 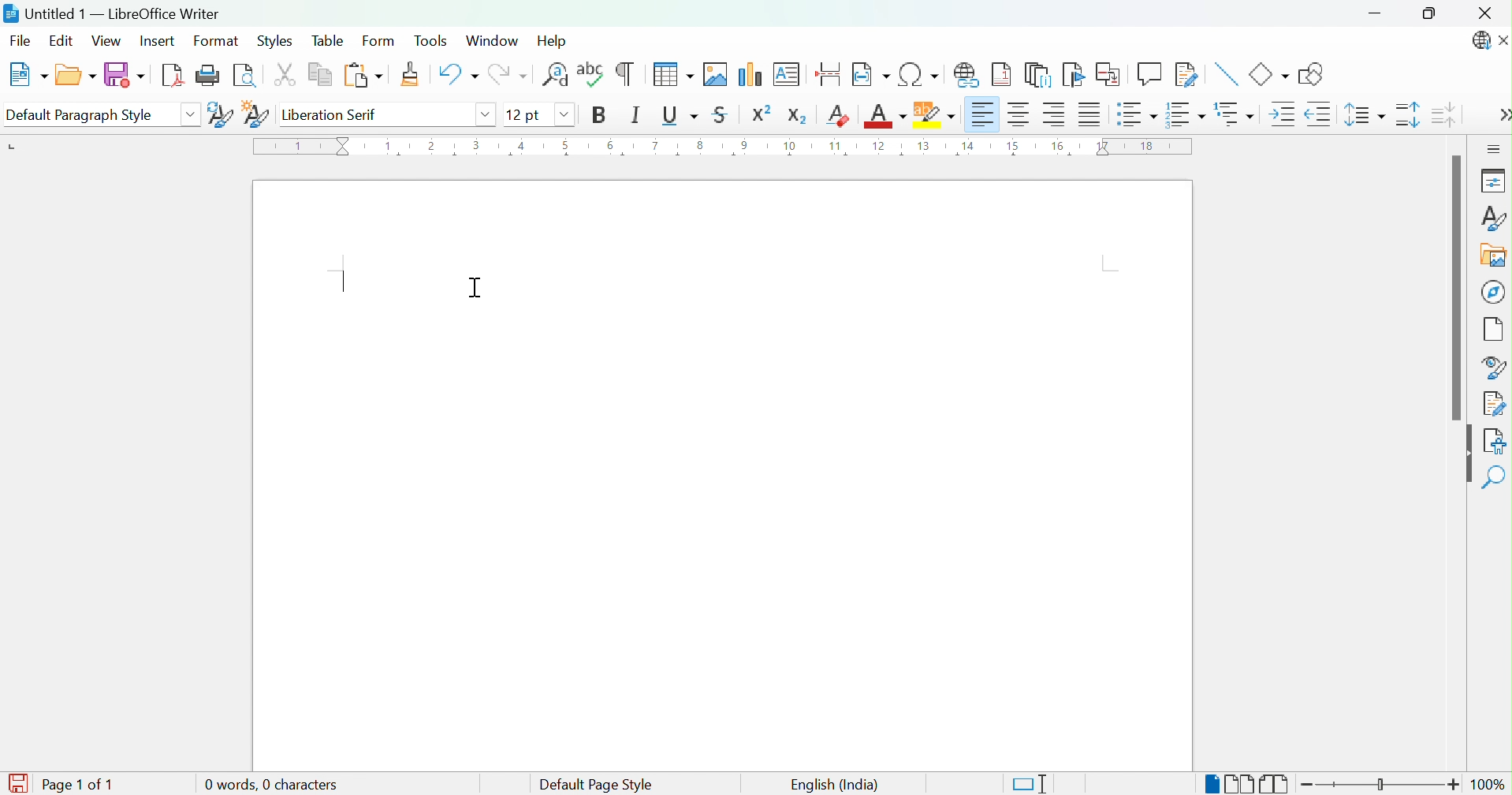 What do you see at coordinates (1478, 43) in the screenshot?
I see `LibreOffice Update Available` at bounding box center [1478, 43].